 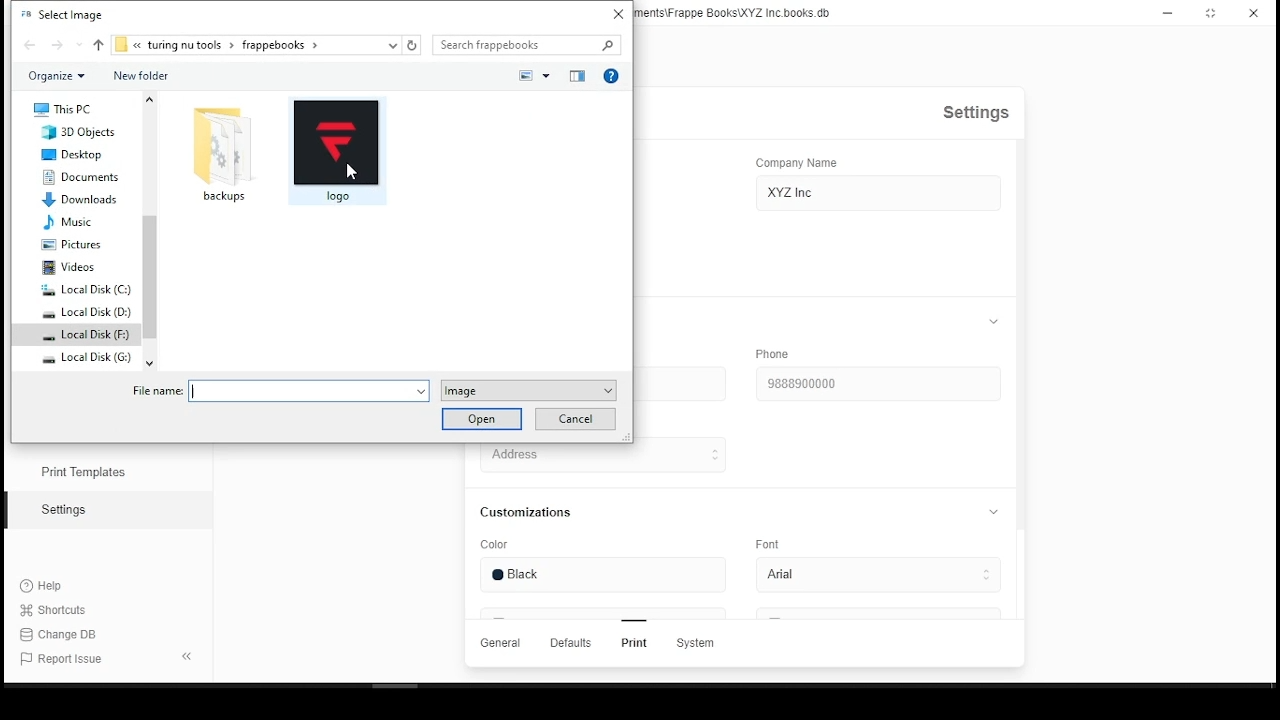 What do you see at coordinates (147, 226) in the screenshot?
I see `scroll bar` at bounding box center [147, 226].